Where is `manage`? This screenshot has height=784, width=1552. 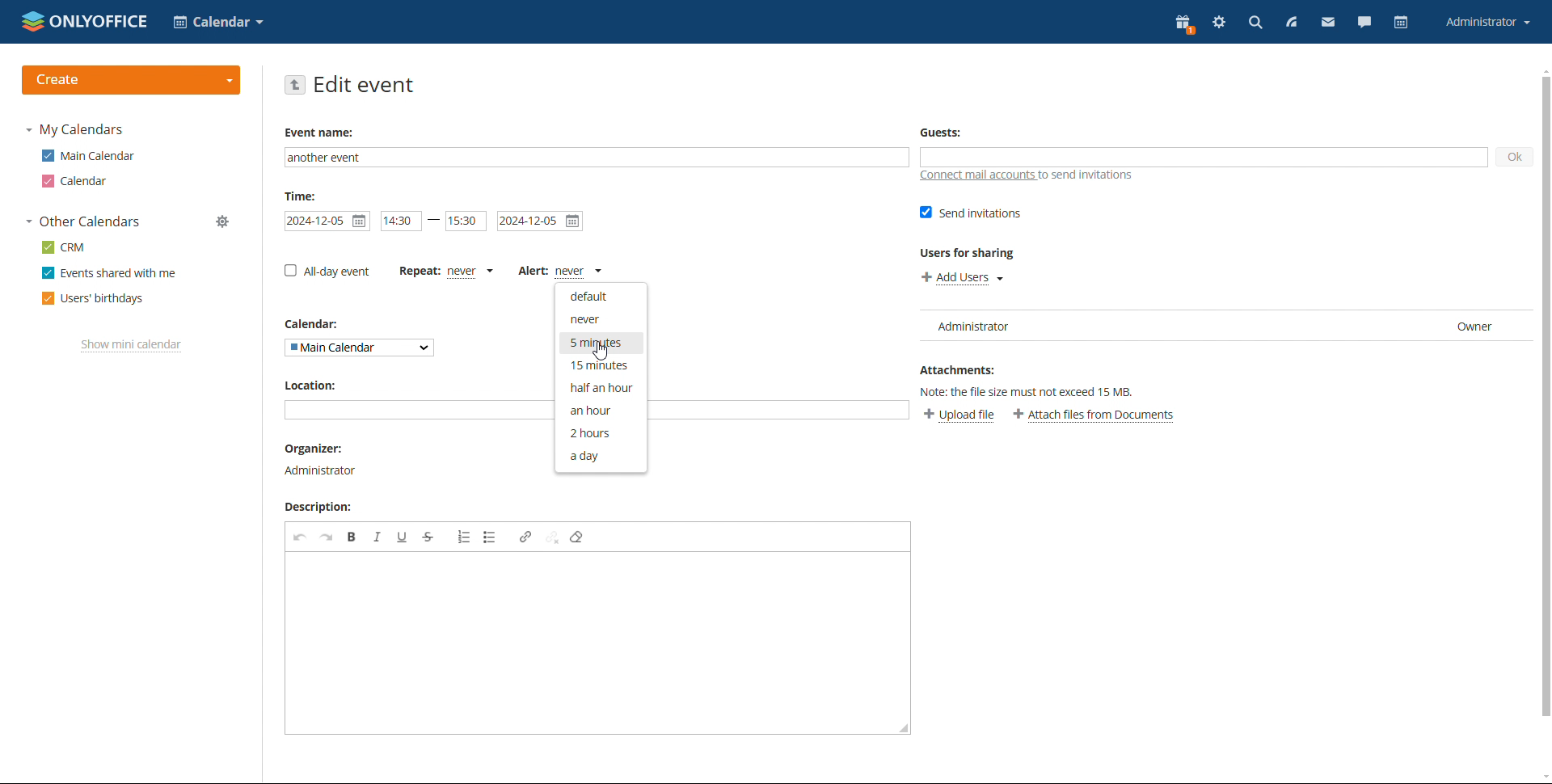 manage is located at coordinates (224, 221).